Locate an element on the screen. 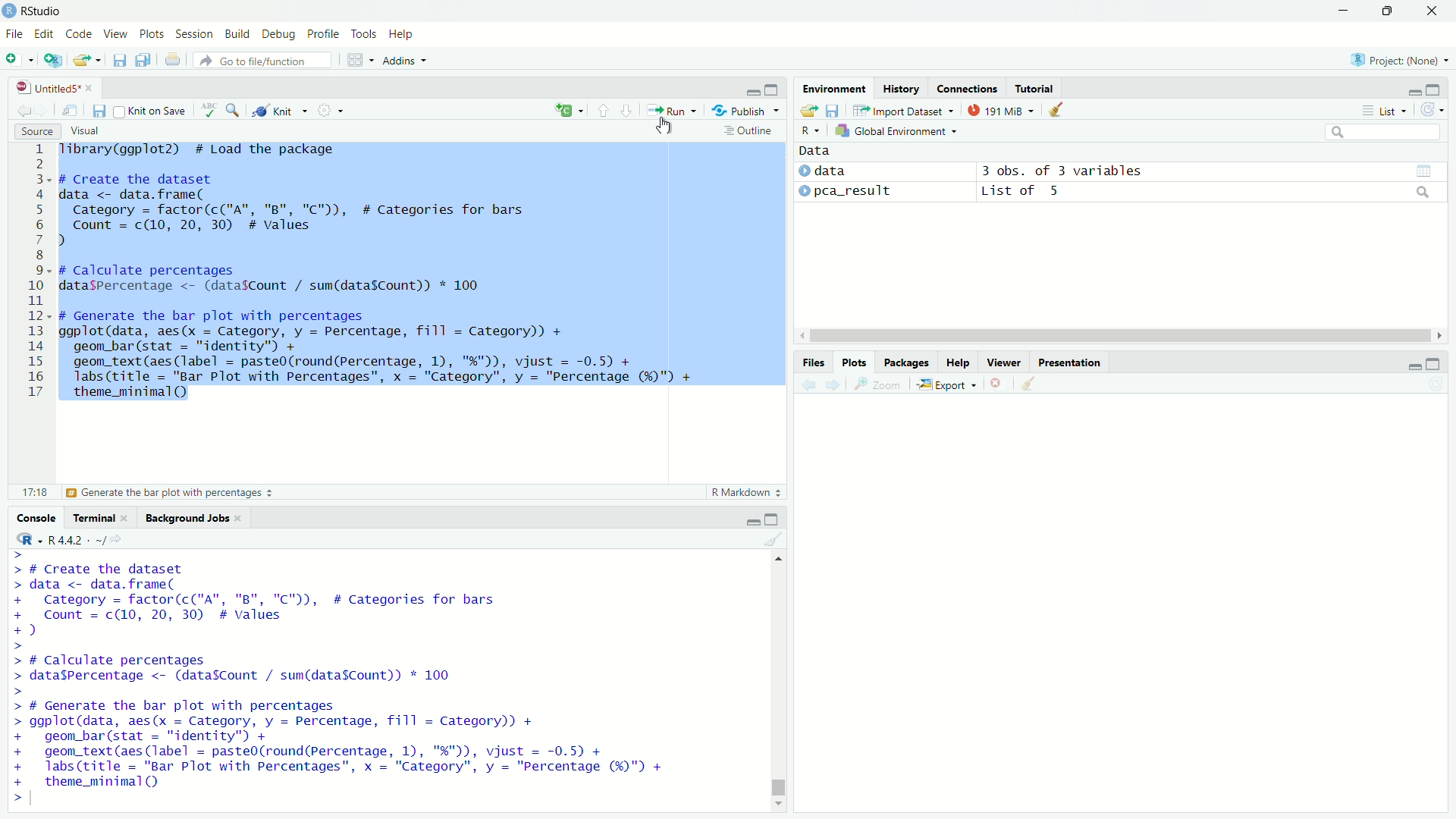 The width and height of the screenshot is (1456, 819). maximize is located at coordinates (774, 88).